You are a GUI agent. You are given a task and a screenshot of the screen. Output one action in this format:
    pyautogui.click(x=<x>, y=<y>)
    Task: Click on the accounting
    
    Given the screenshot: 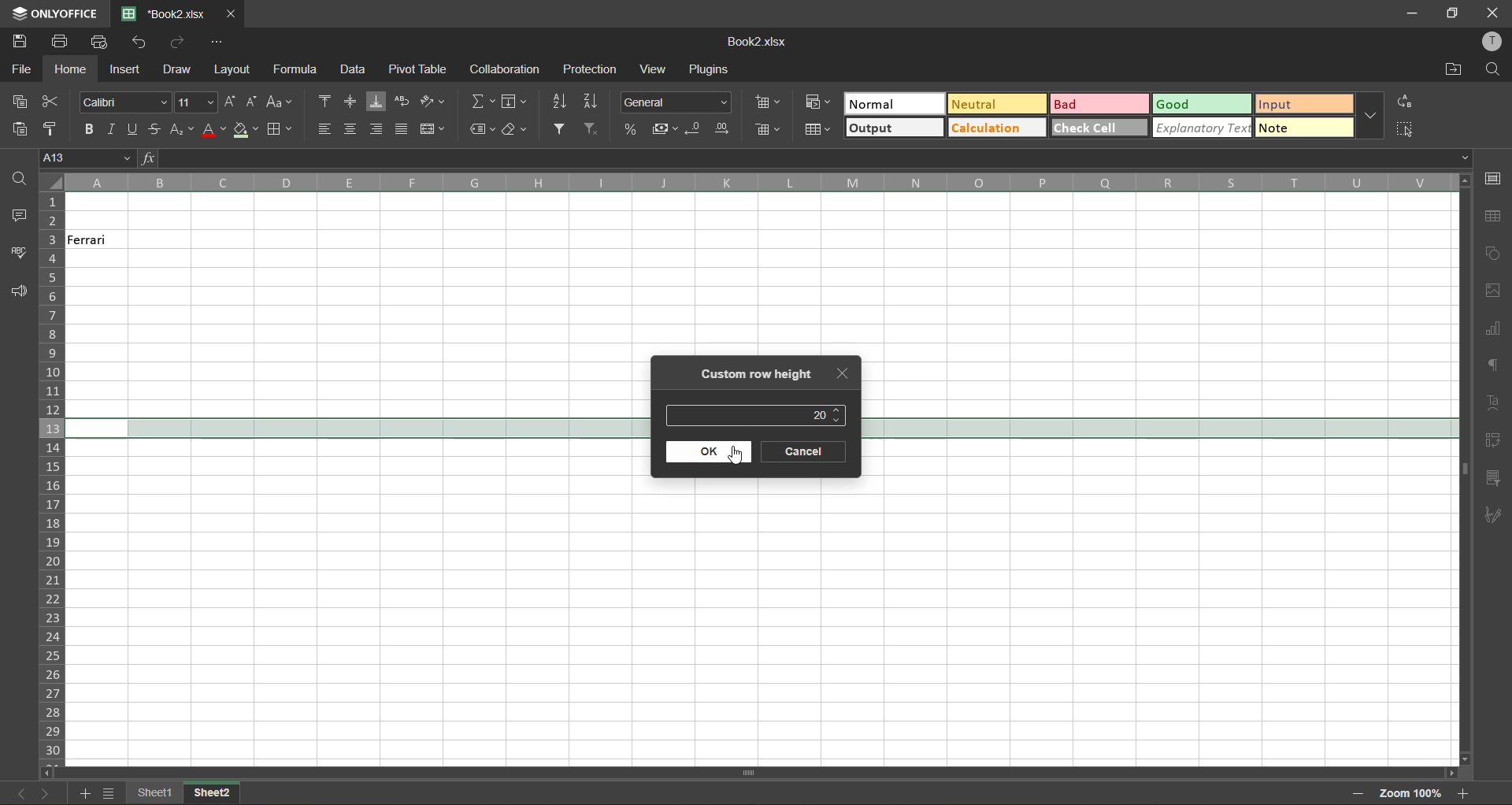 What is the action you would take?
    pyautogui.click(x=667, y=131)
    